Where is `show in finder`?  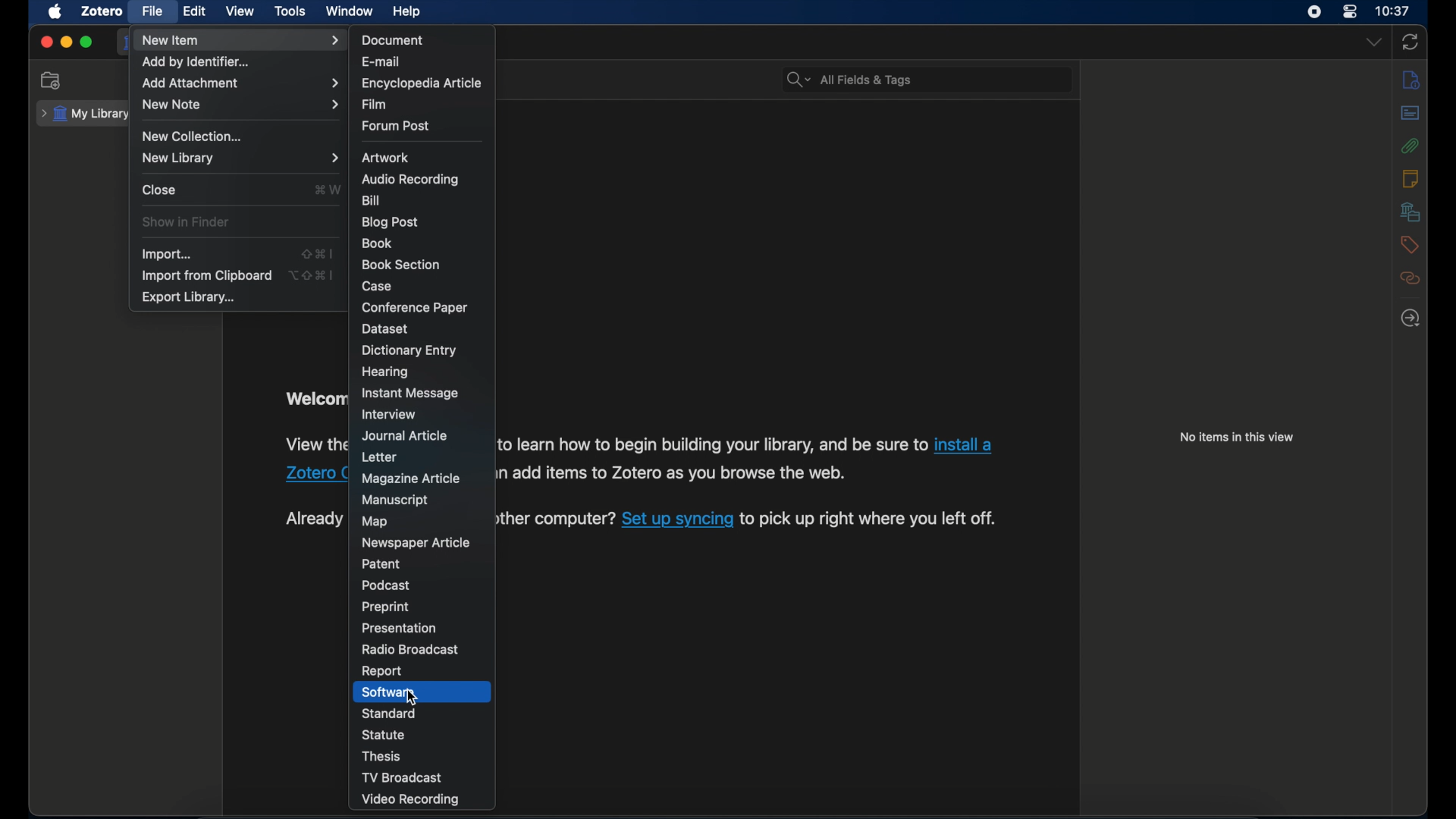 show in finder is located at coordinates (187, 222).